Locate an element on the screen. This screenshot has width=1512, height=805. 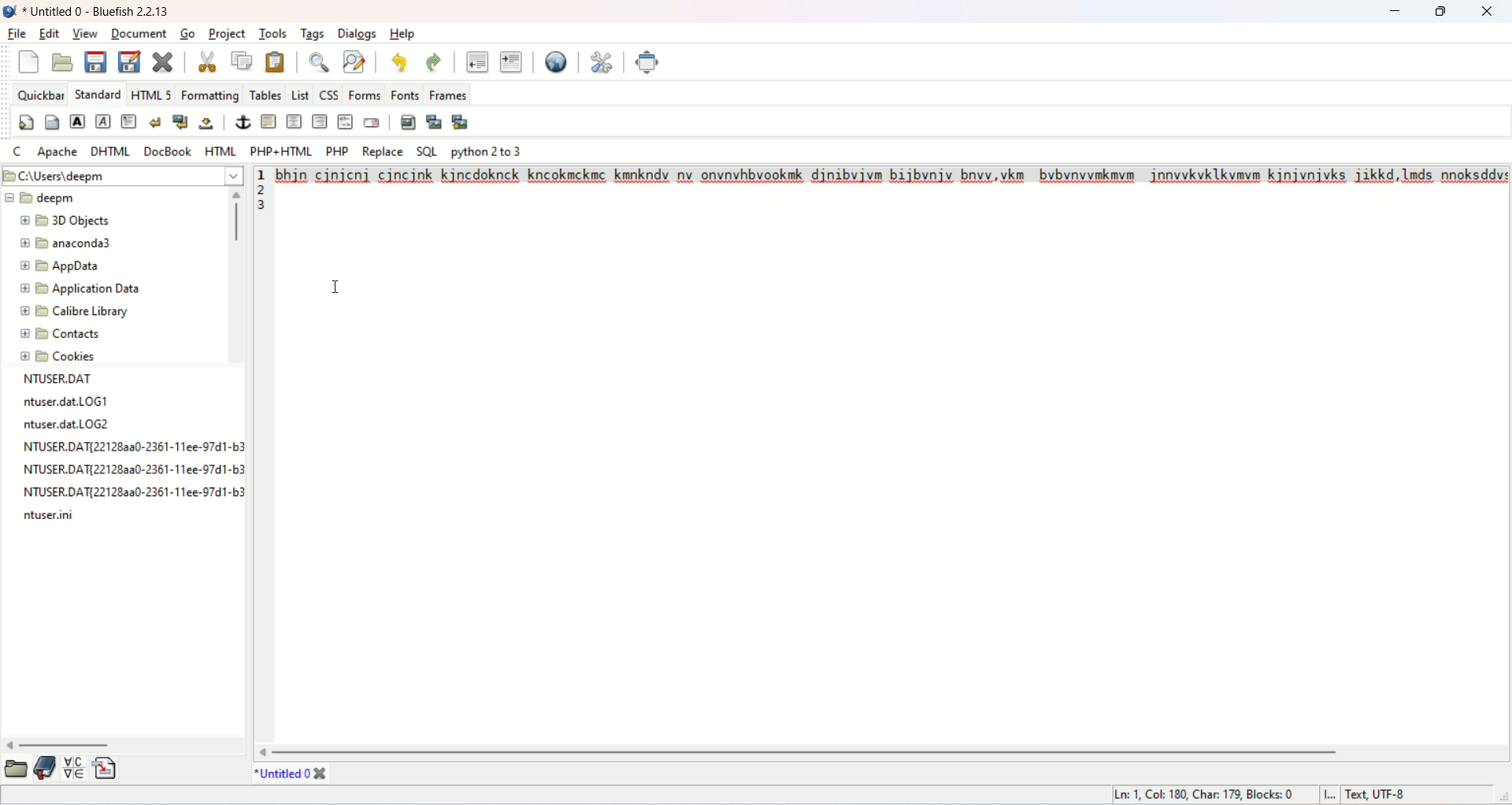
file is located at coordinates (77, 380).